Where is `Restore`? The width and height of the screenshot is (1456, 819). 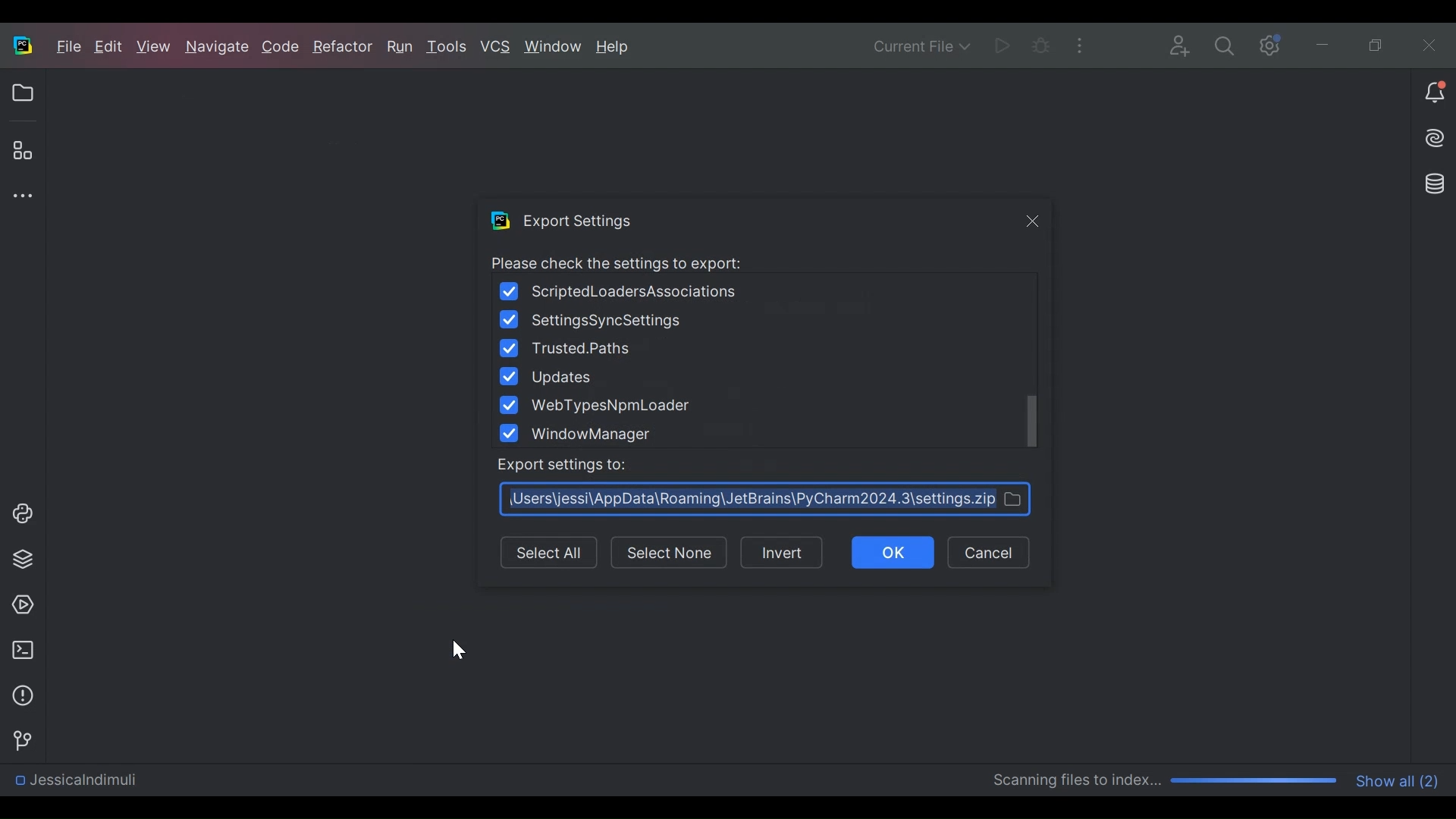
Restore is located at coordinates (1377, 42).